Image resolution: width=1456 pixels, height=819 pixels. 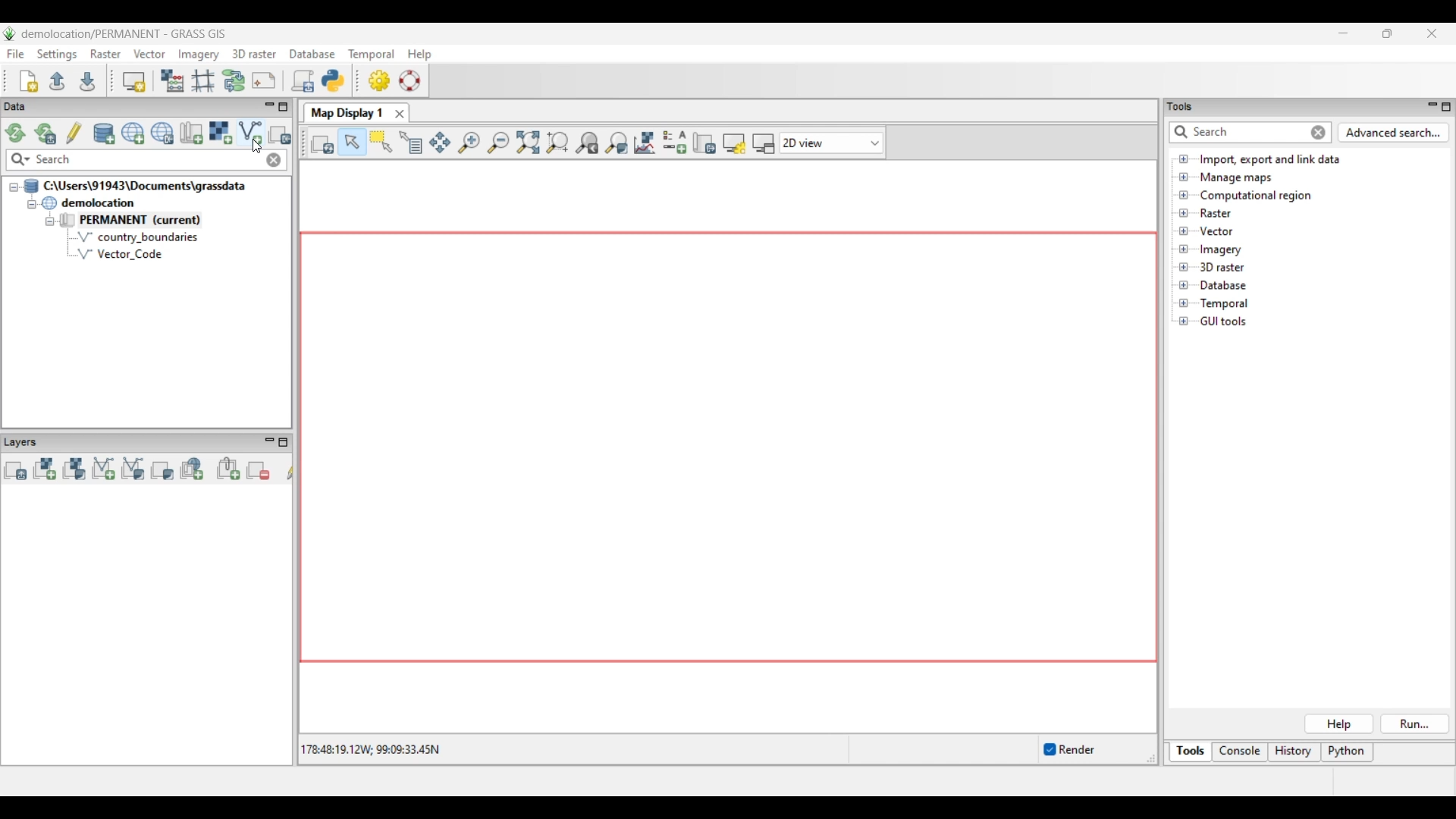 I want to click on Minimize, so click(x=1343, y=33).